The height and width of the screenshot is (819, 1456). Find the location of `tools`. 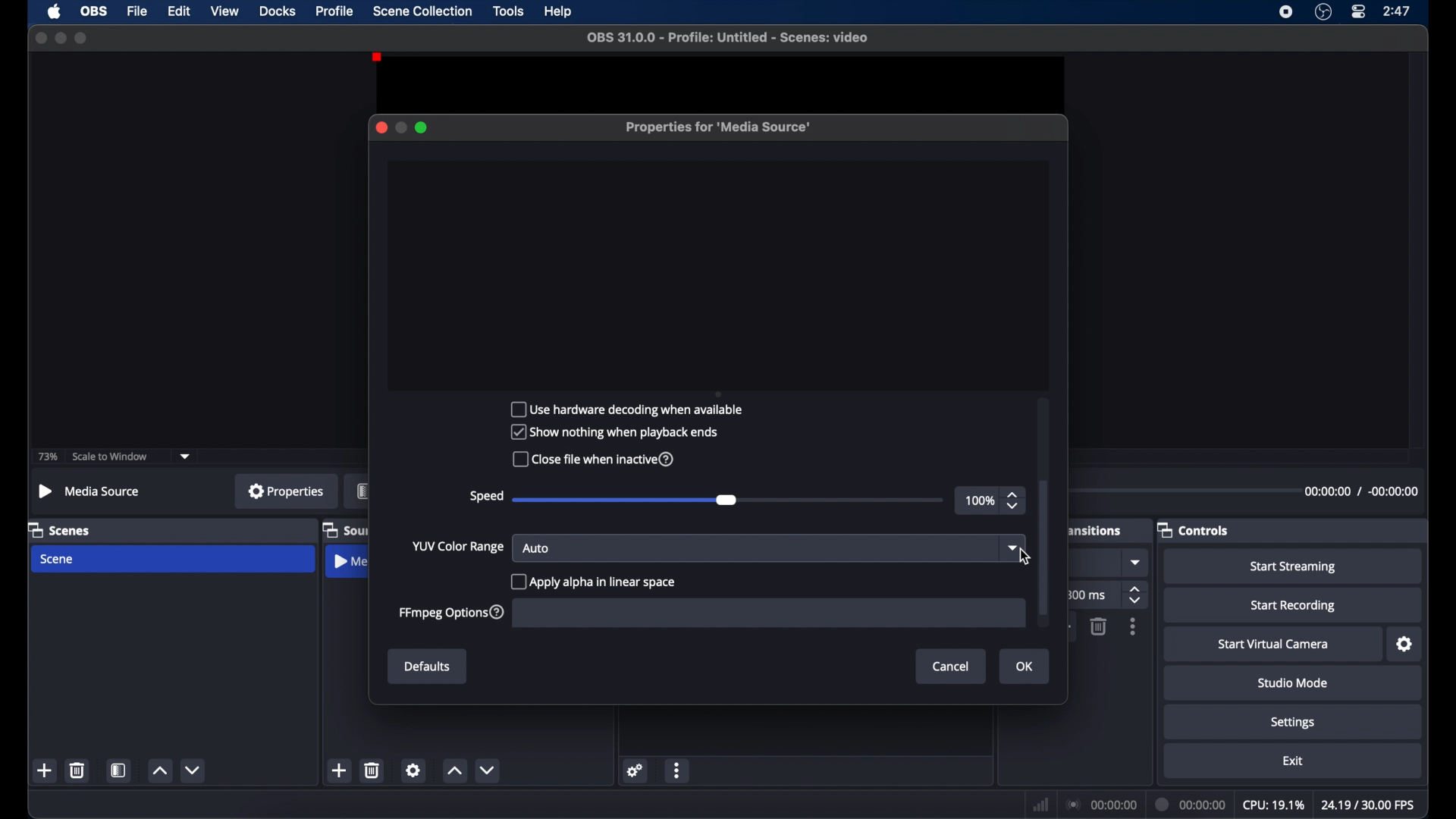

tools is located at coordinates (510, 11).